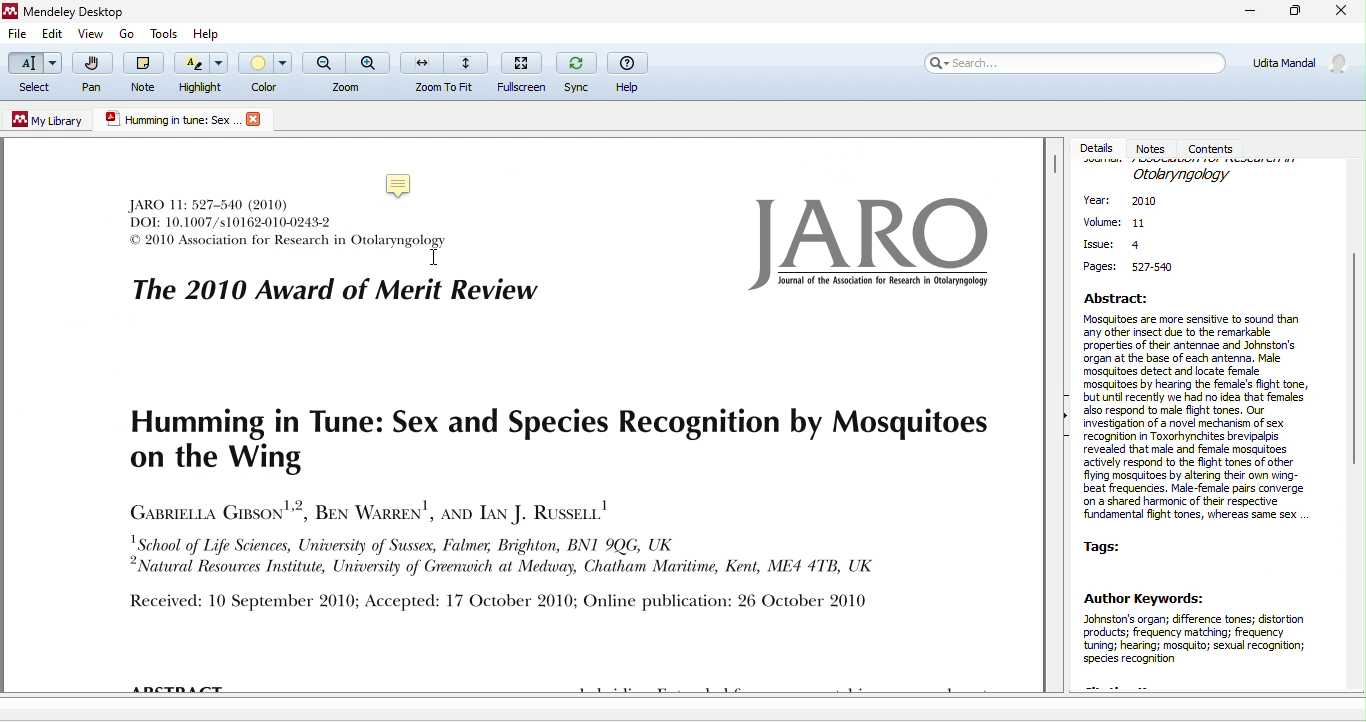 The image size is (1366, 722). I want to click on pdf title, so click(169, 120).